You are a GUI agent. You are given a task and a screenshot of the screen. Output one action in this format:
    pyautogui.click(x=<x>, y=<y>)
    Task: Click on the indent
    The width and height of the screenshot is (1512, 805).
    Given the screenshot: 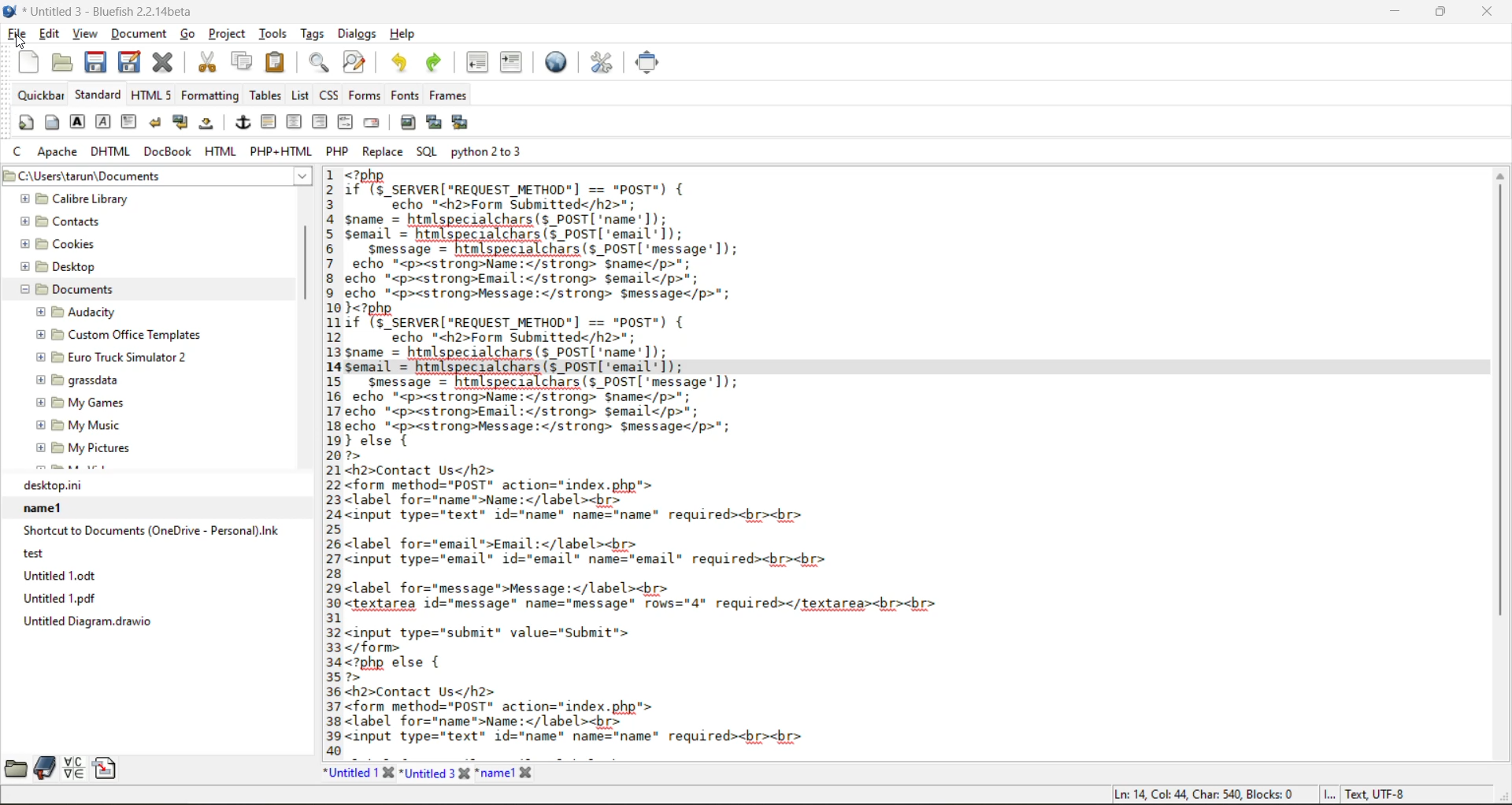 What is the action you would take?
    pyautogui.click(x=510, y=62)
    